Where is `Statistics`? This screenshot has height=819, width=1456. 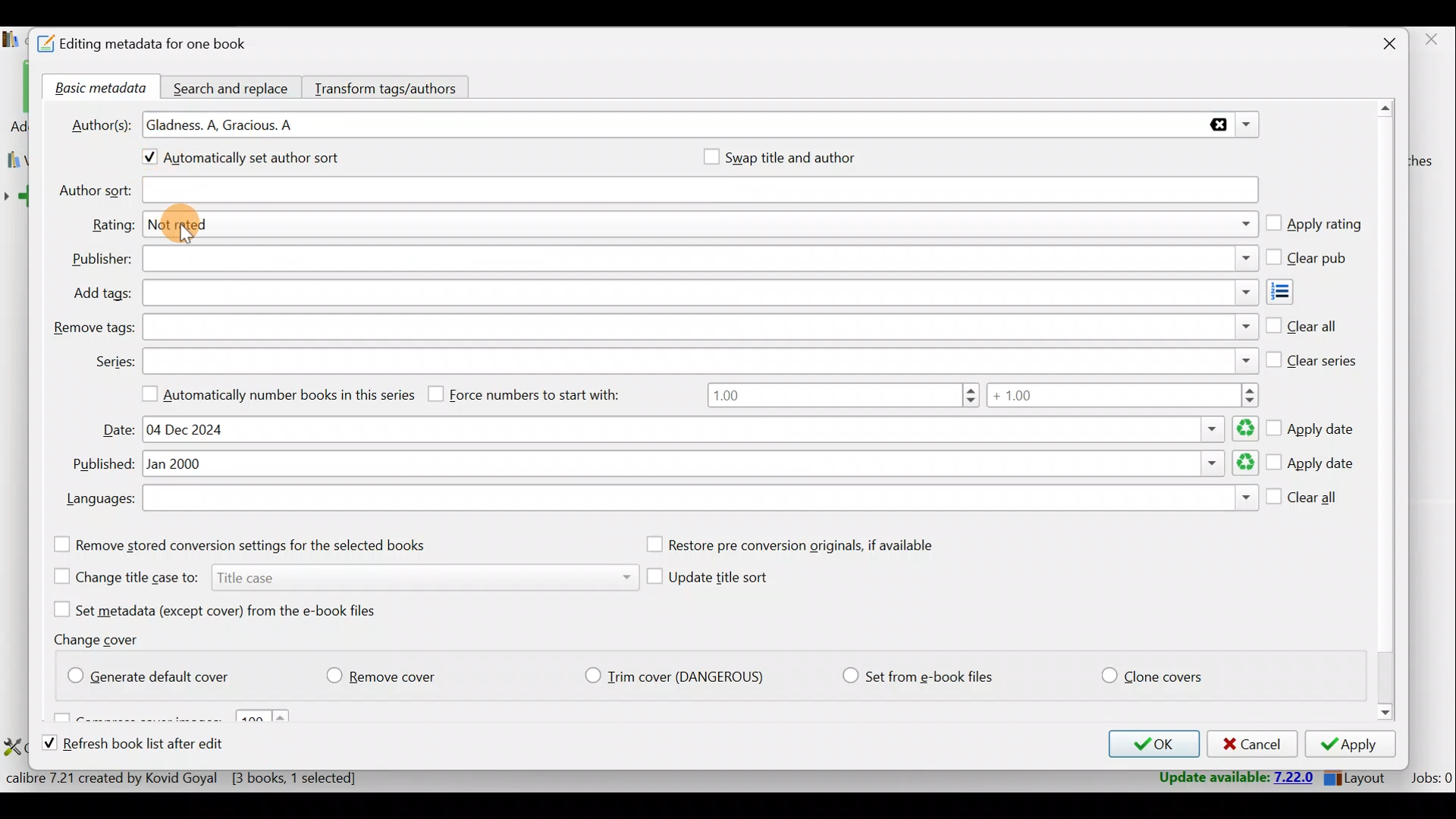 Statistics is located at coordinates (210, 777).